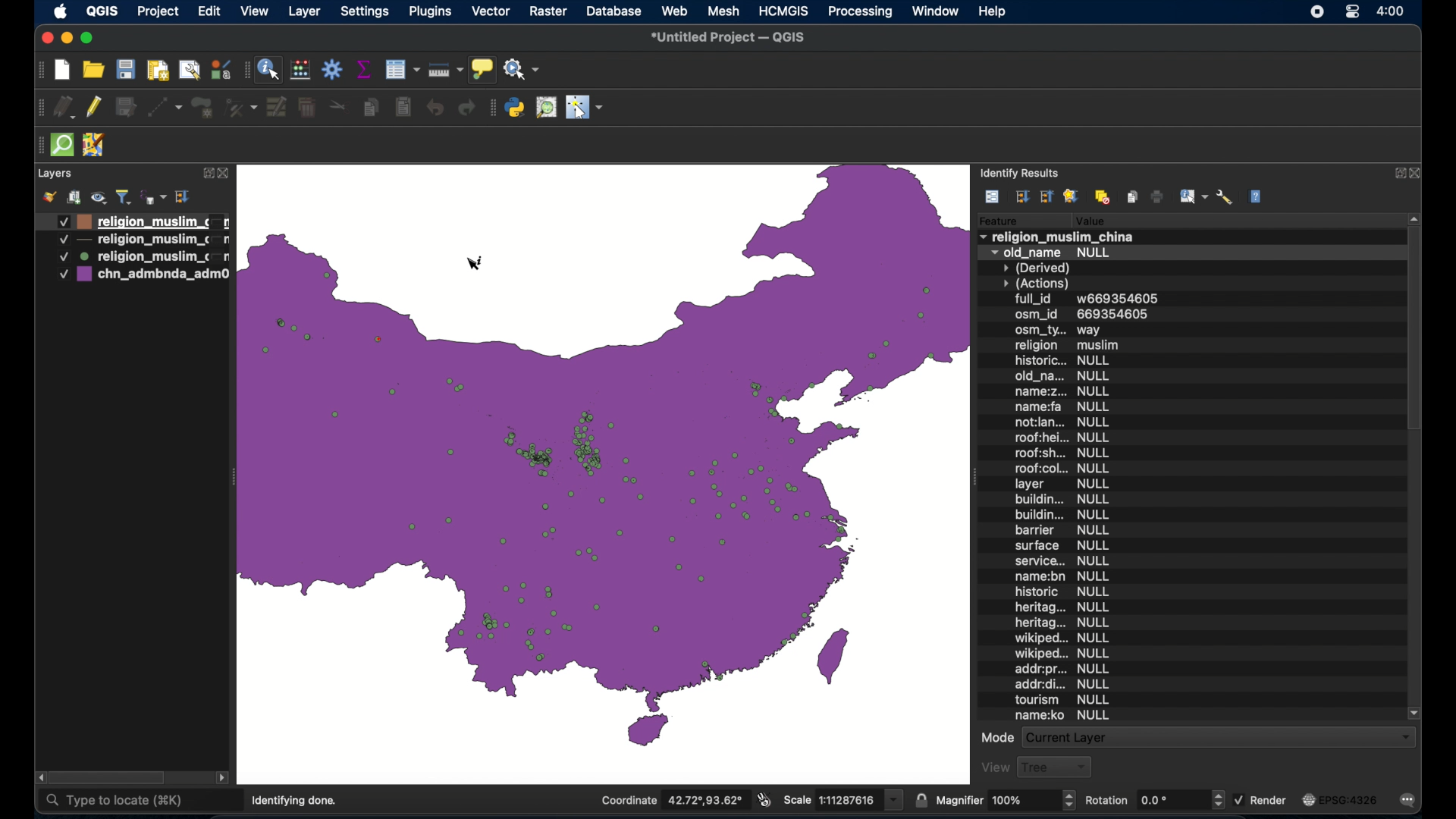 The height and width of the screenshot is (819, 1456). I want to click on HCMGIS, so click(783, 11).